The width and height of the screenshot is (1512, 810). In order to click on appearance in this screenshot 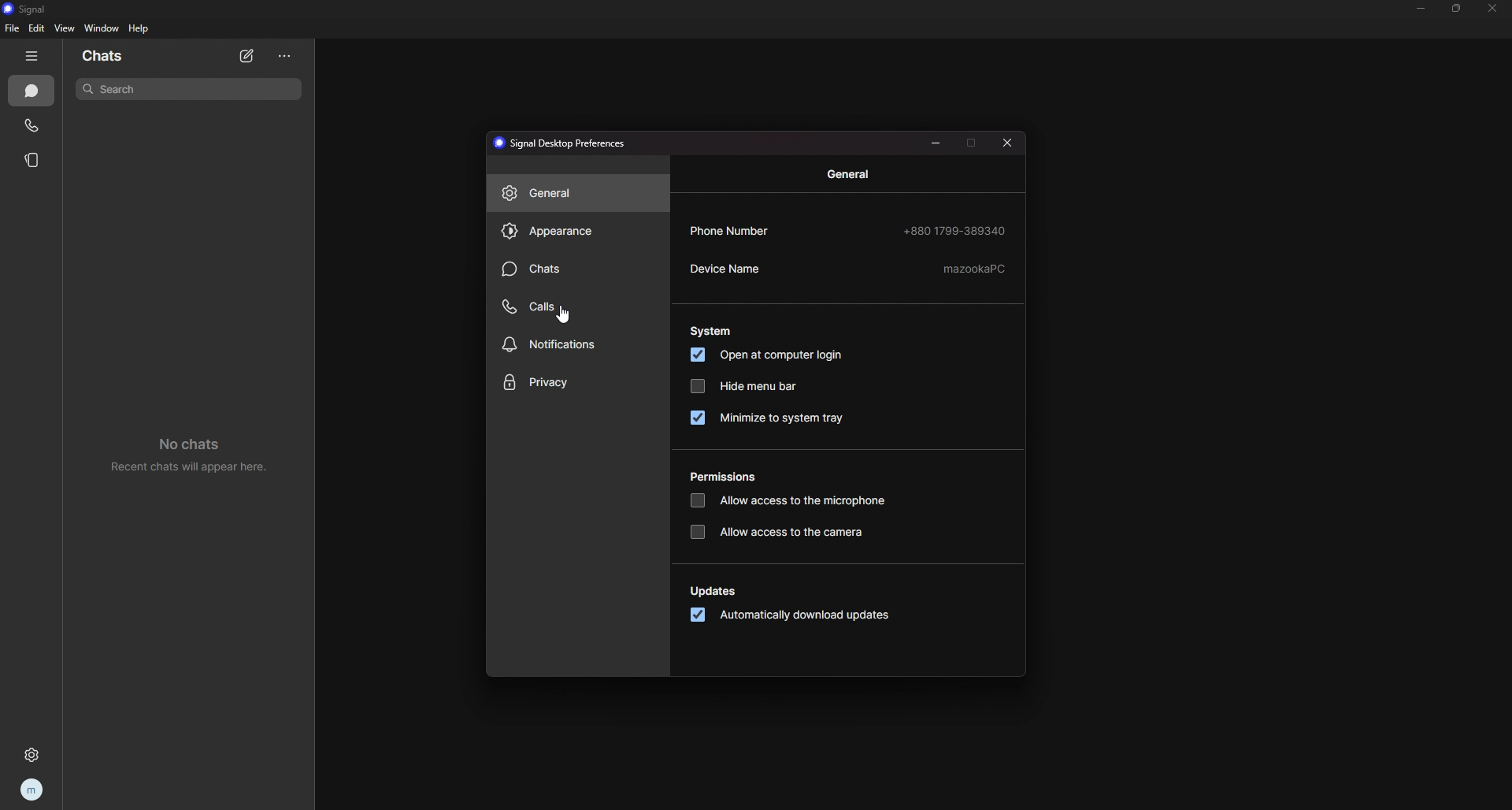, I will do `click(575, 232)`.